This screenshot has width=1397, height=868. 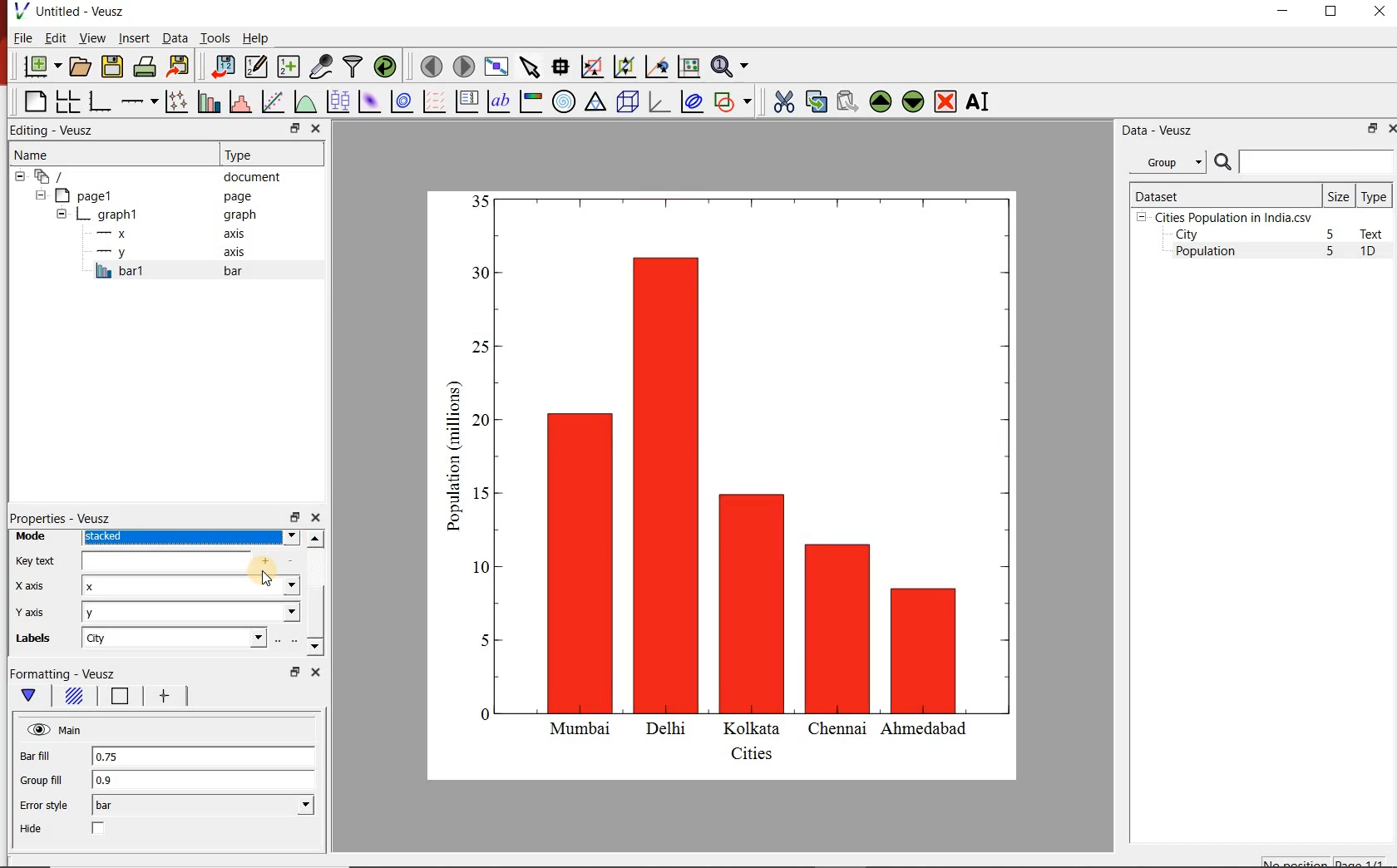 I want to click on close, so click(x=313, y=672).